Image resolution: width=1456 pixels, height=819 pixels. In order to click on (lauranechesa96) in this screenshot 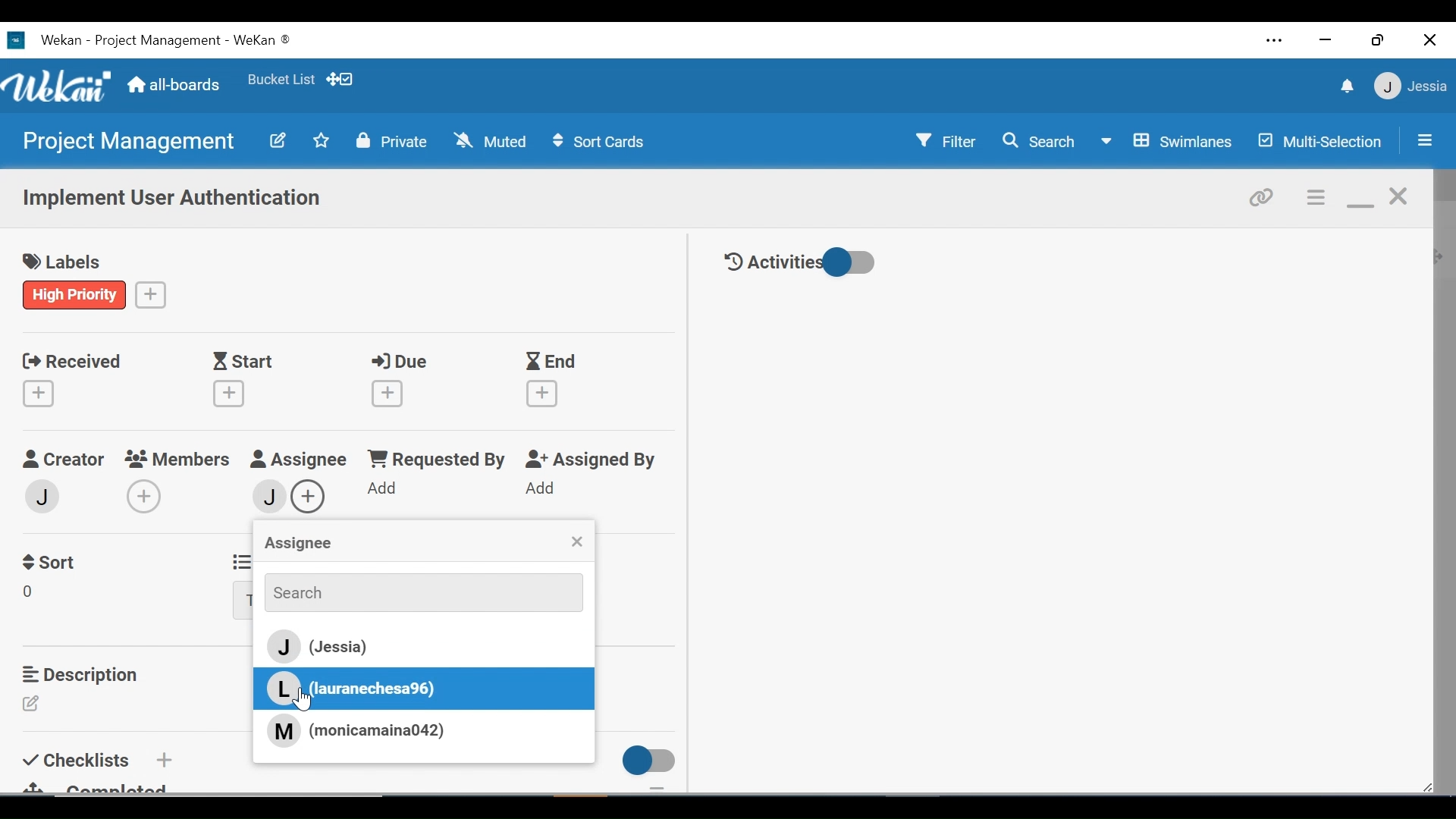, I will do `click(356, 689)`.